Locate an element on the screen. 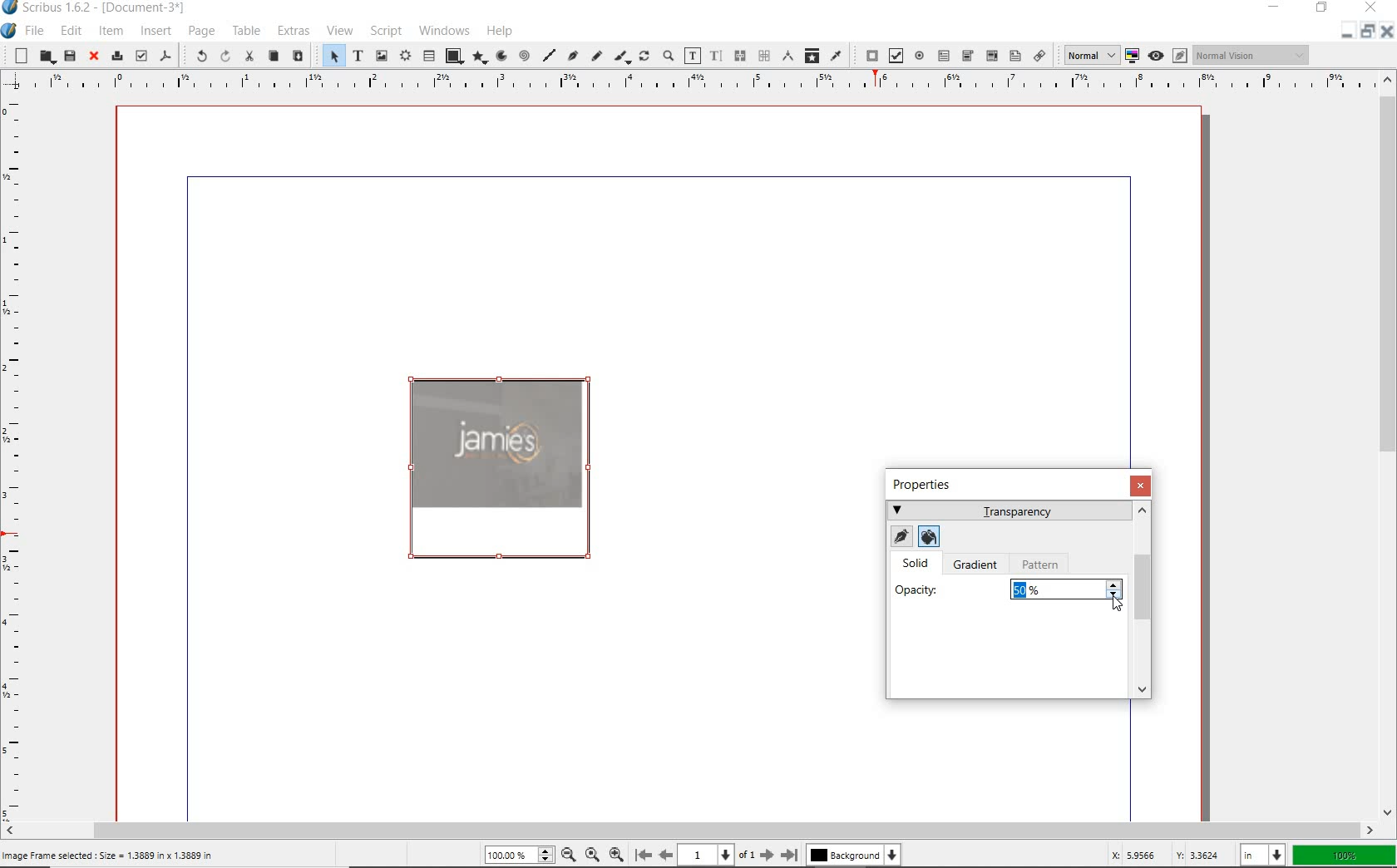  OPACITY is located at coordinates (920, 591).